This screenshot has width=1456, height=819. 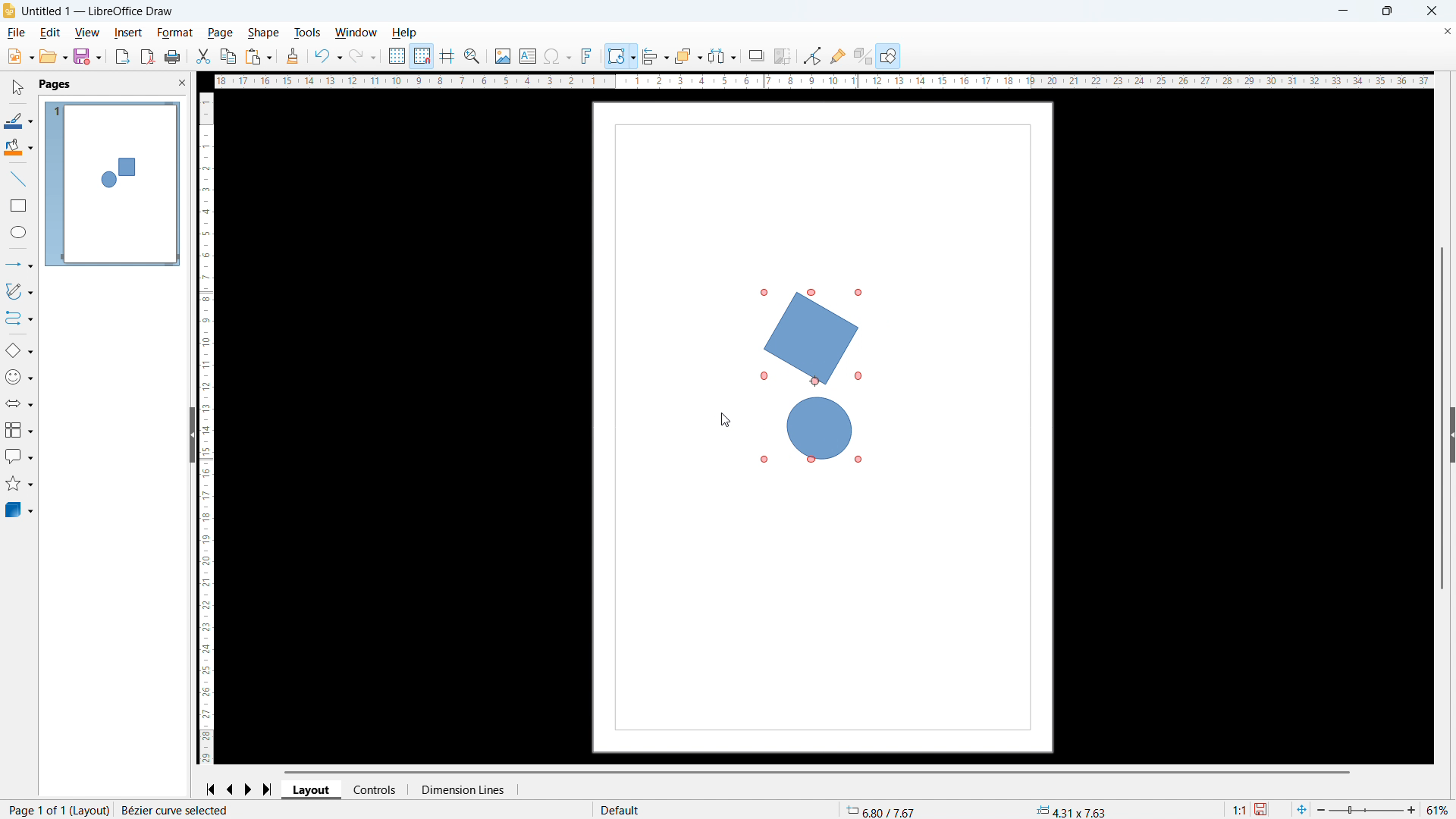 I want to click on copy , so click(x=229, y=56).